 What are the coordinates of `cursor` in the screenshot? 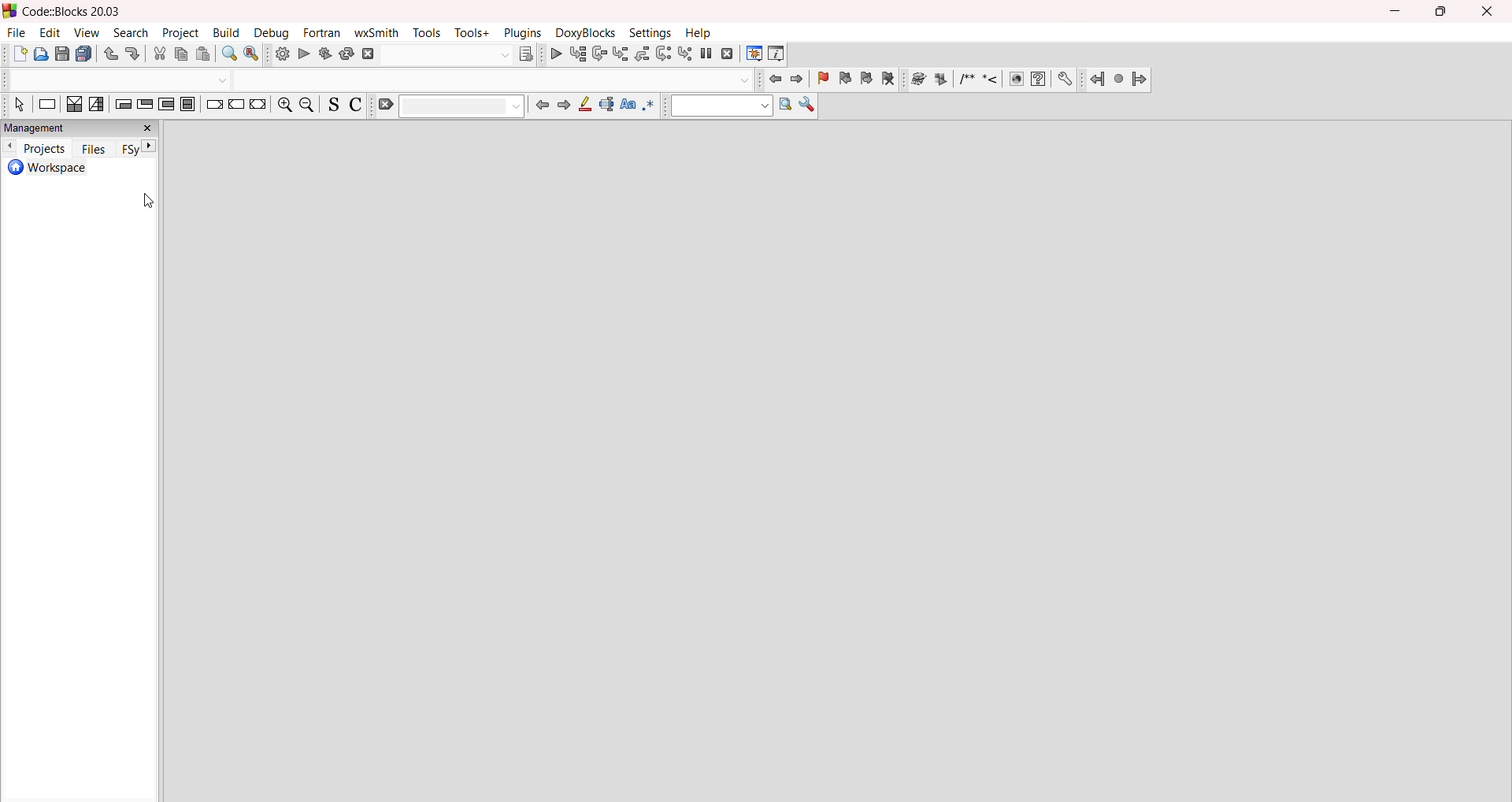 It's located at (150, 201).